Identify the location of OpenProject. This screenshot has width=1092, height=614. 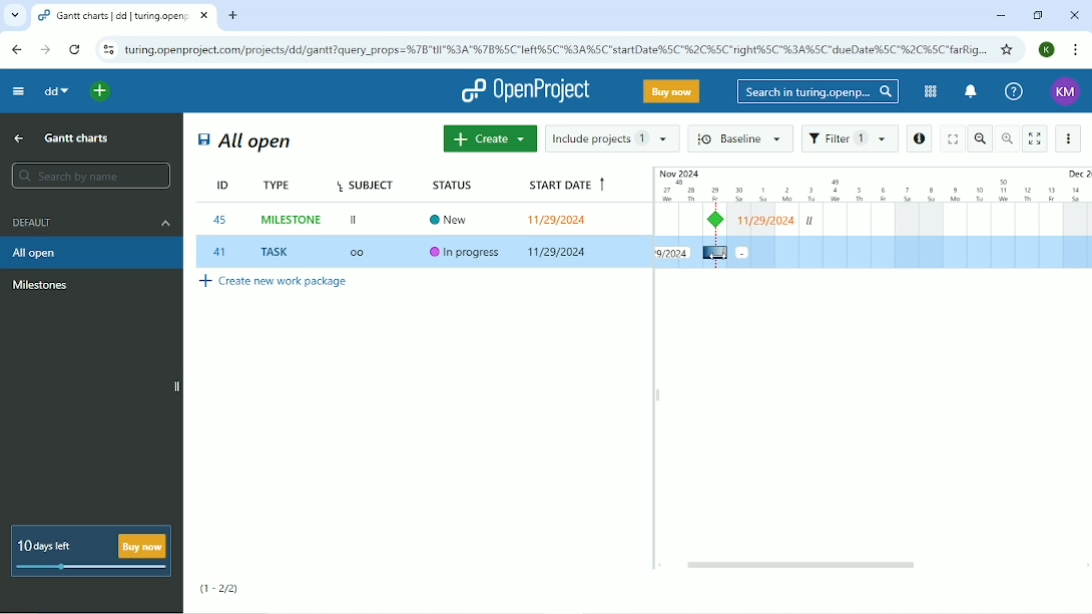
(525, 91).